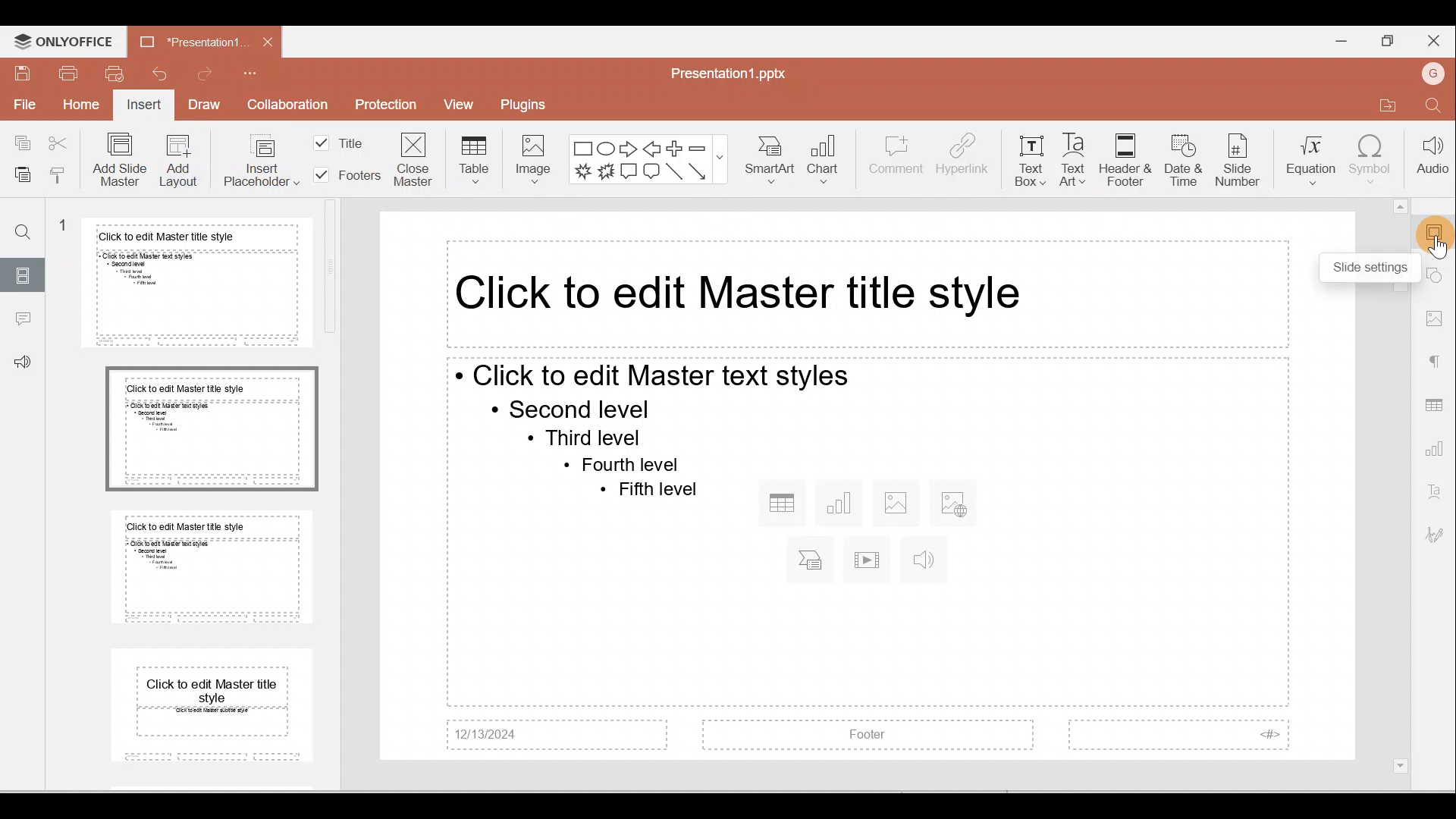 Image resolution: width=1456 pixels, height=819 pixels. What do you see at coordinates (67, 74) in the screenshot?
I see `Print file` at bounding box center [67, 74].